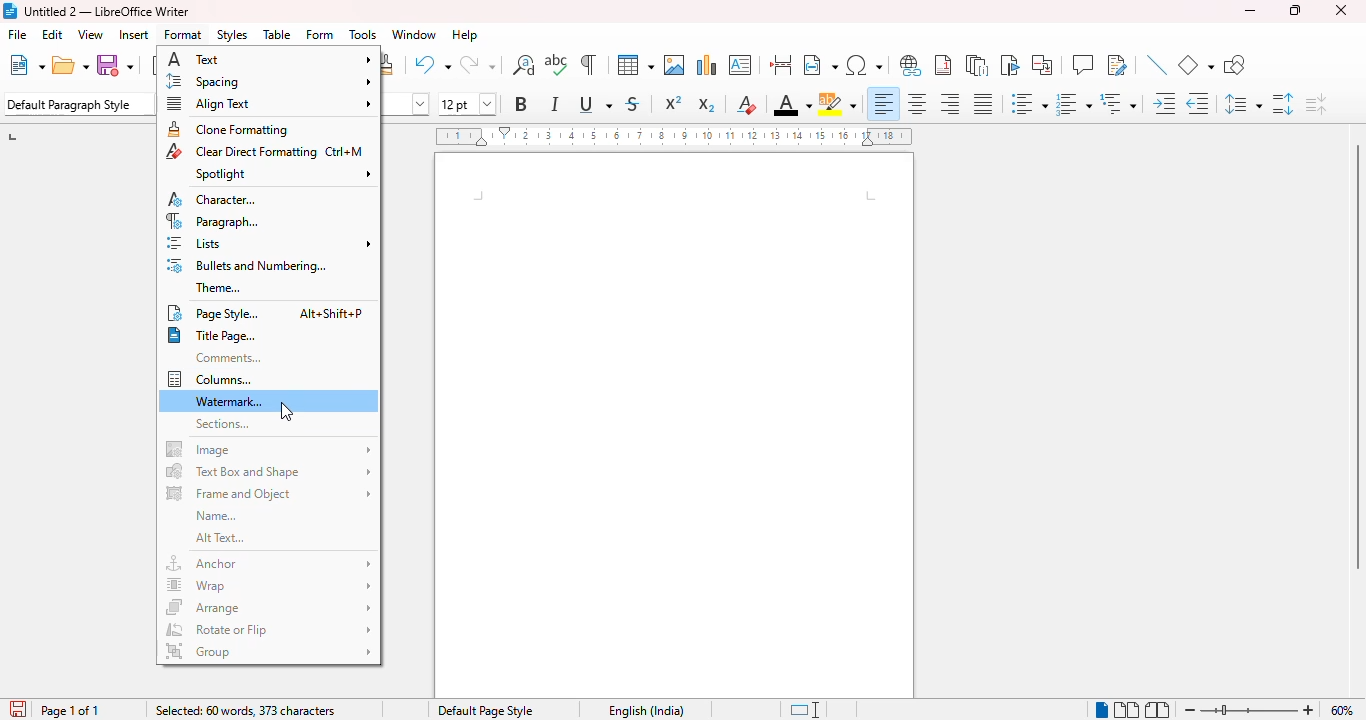 This screenshot has height=720, width=1366. I want to click on clone formatting, so click(389, 64).